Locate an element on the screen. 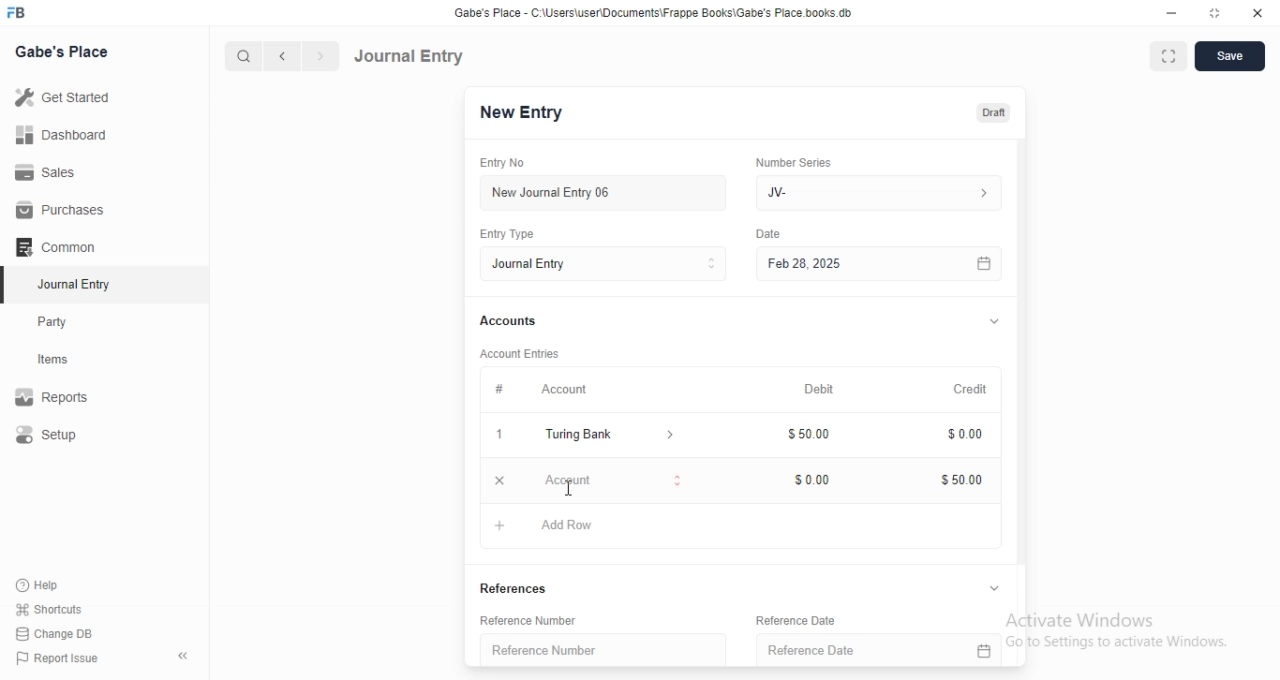  $50.00 is located at coordinates (816, 432).